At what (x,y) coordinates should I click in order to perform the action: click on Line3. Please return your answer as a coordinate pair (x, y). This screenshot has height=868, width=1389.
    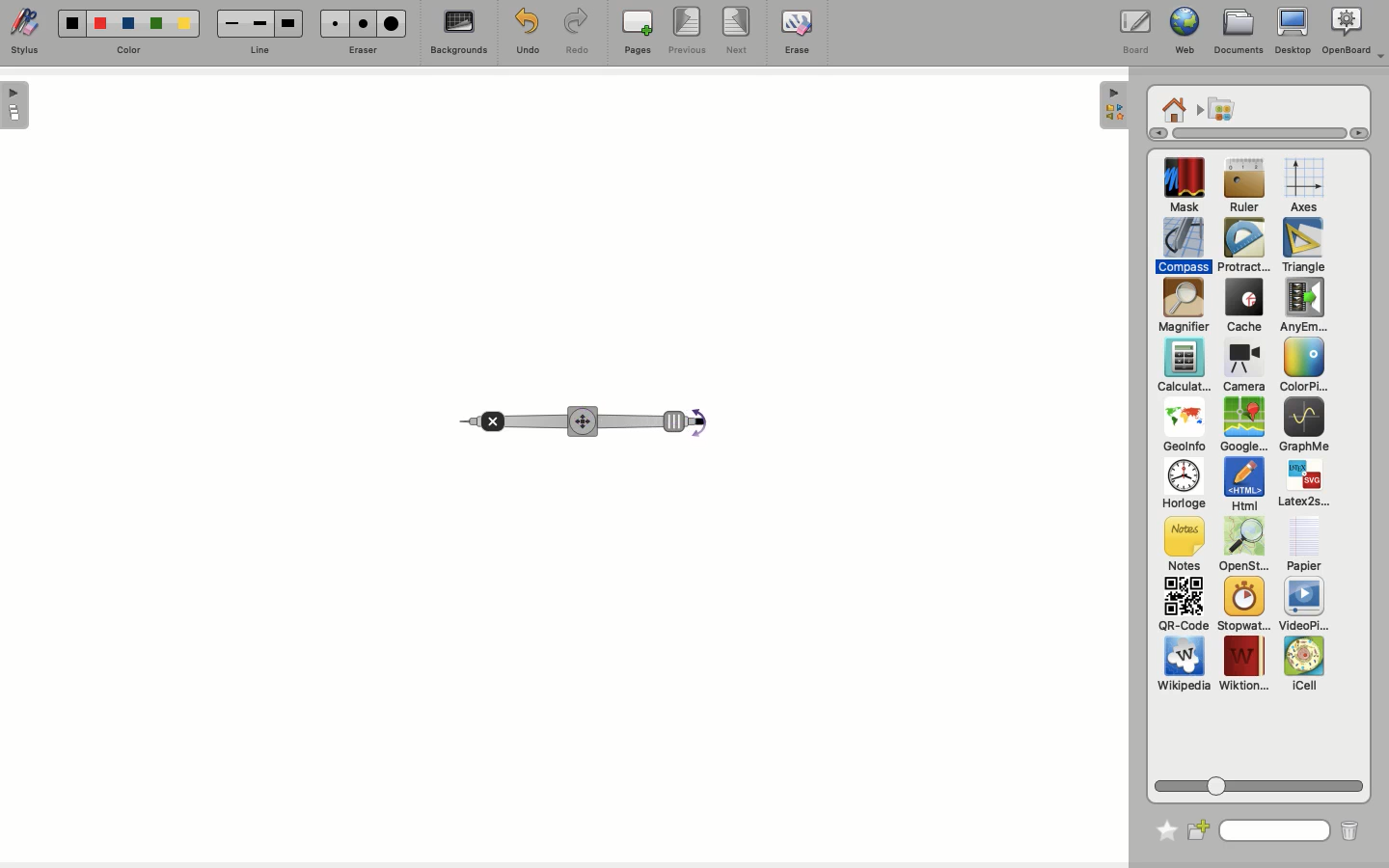
    Looking at the image, I should click on (286, 23).